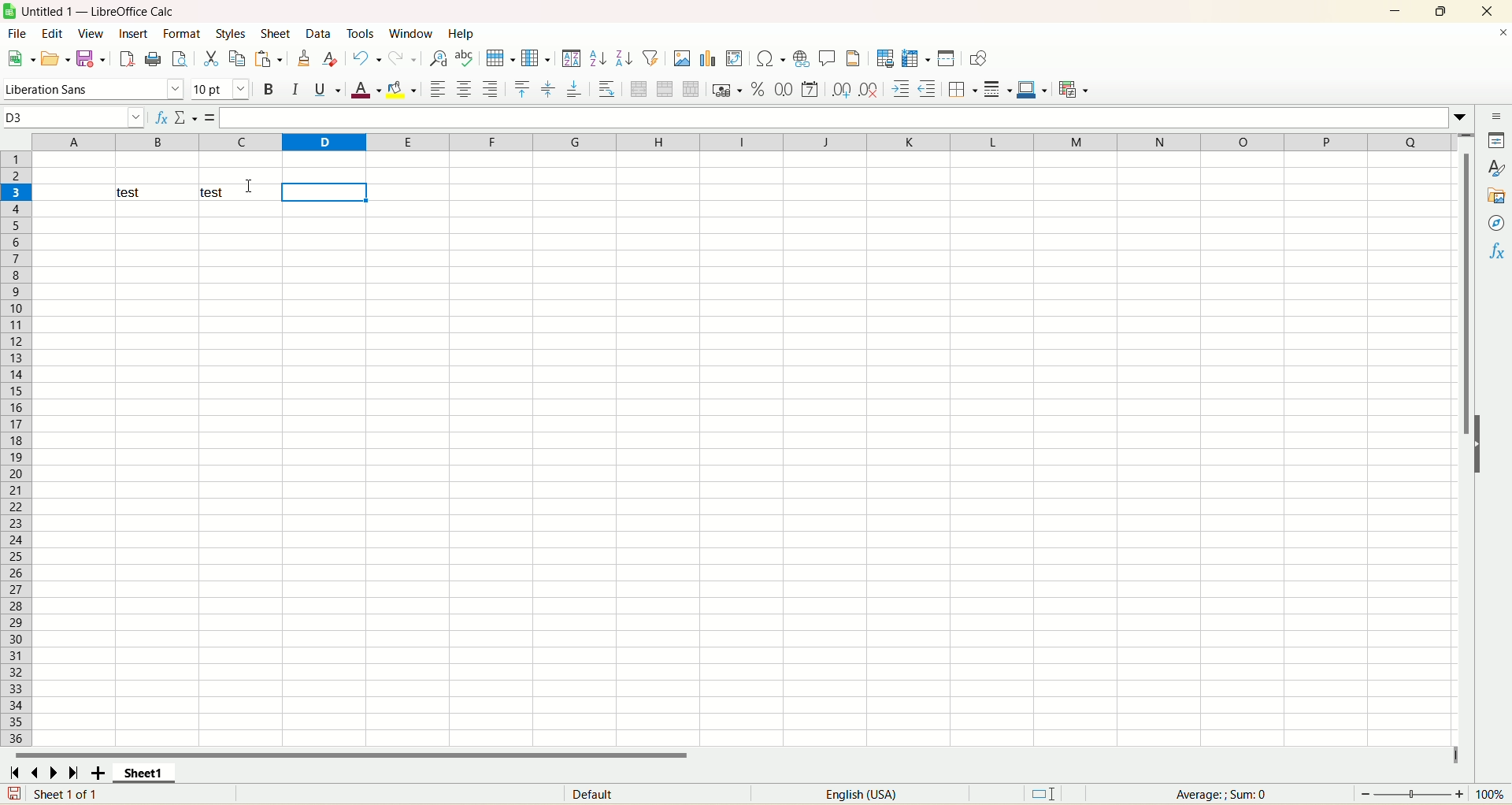 This screenshot has height=805, width=1512. What do you see at coordinates (745, 474) in the screenshot?
I see `workbook` at bounding box center [745, 474].